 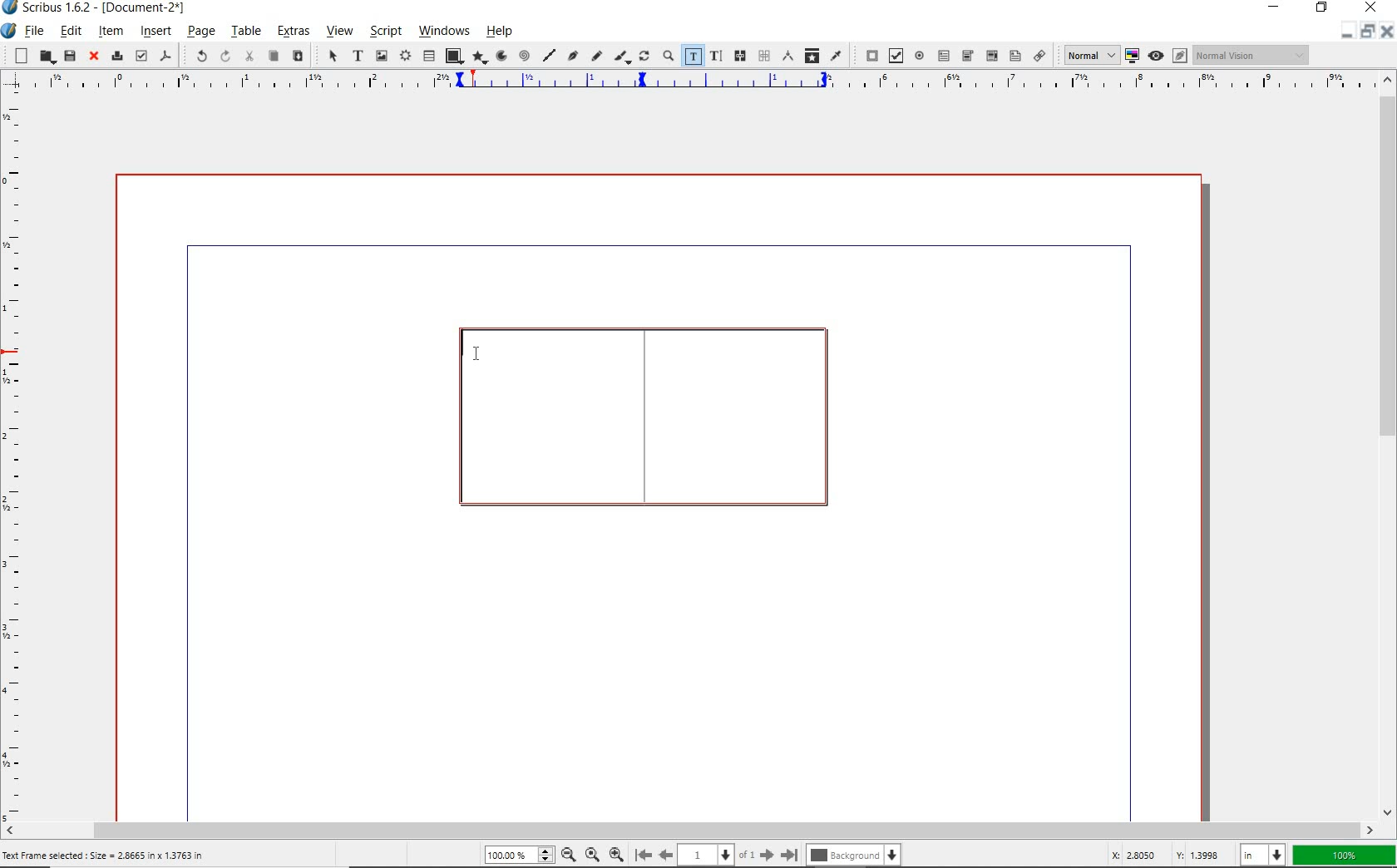 What do you see at coordinates (68, 57) in the screenshot?
I see `save` at bounding box center [68, 57].